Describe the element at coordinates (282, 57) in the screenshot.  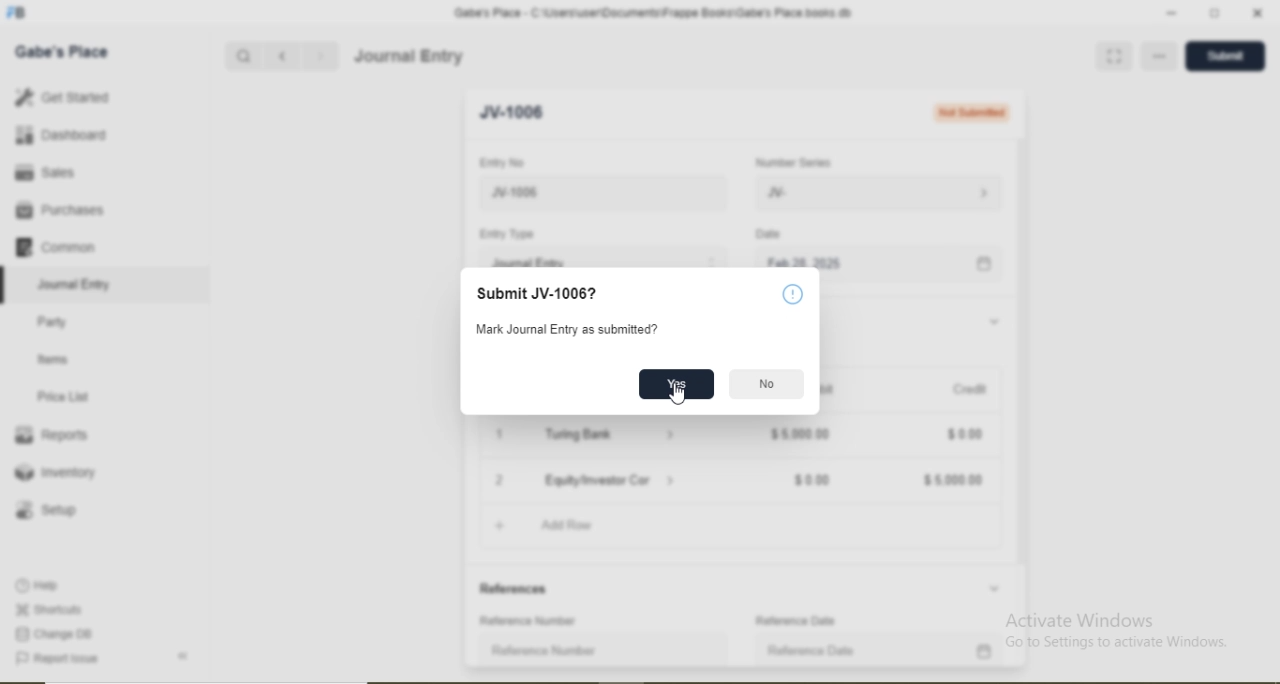
I see `Backward` at that location.